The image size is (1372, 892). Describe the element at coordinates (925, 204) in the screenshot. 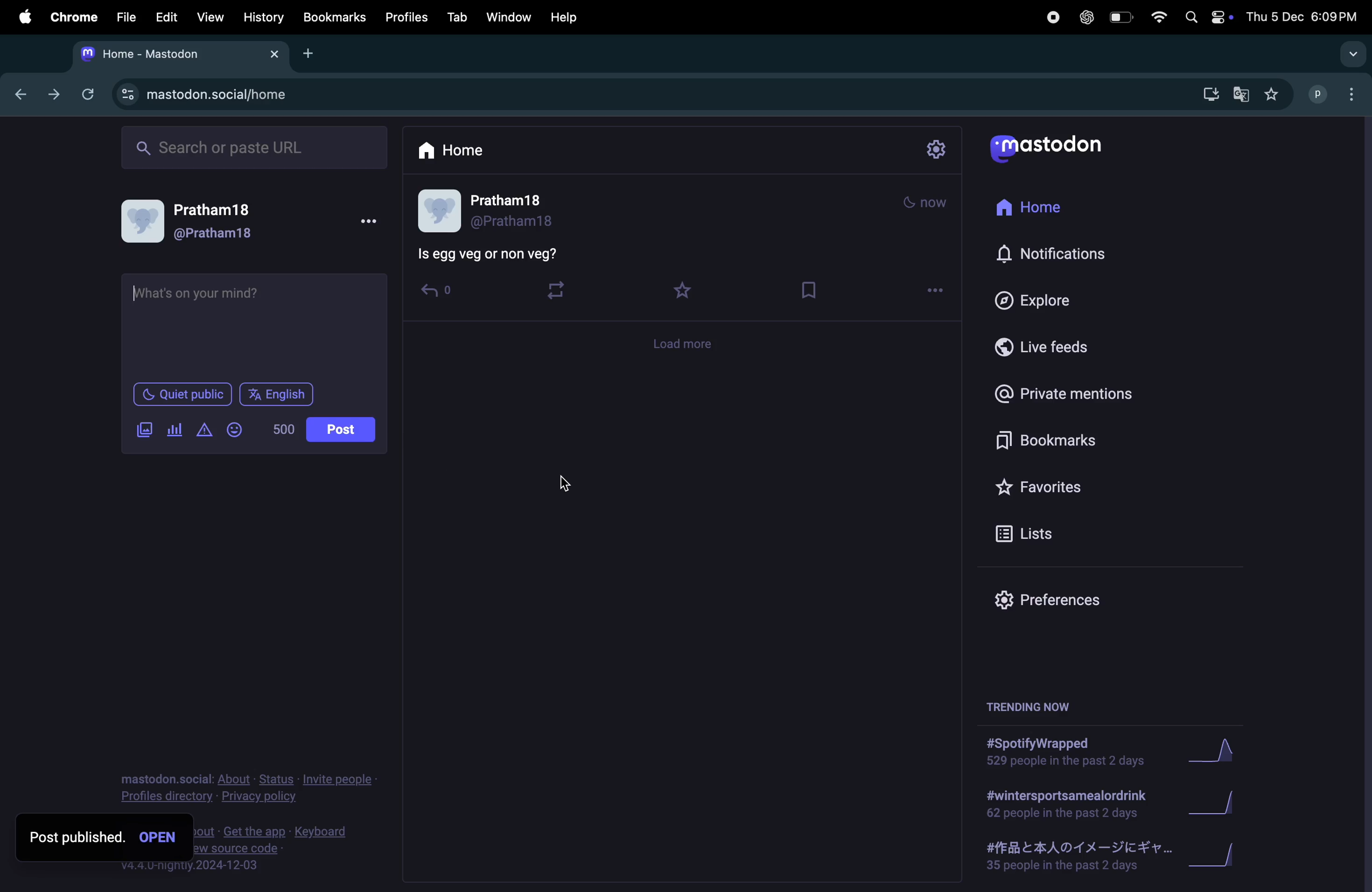

I see `mode` at that location.